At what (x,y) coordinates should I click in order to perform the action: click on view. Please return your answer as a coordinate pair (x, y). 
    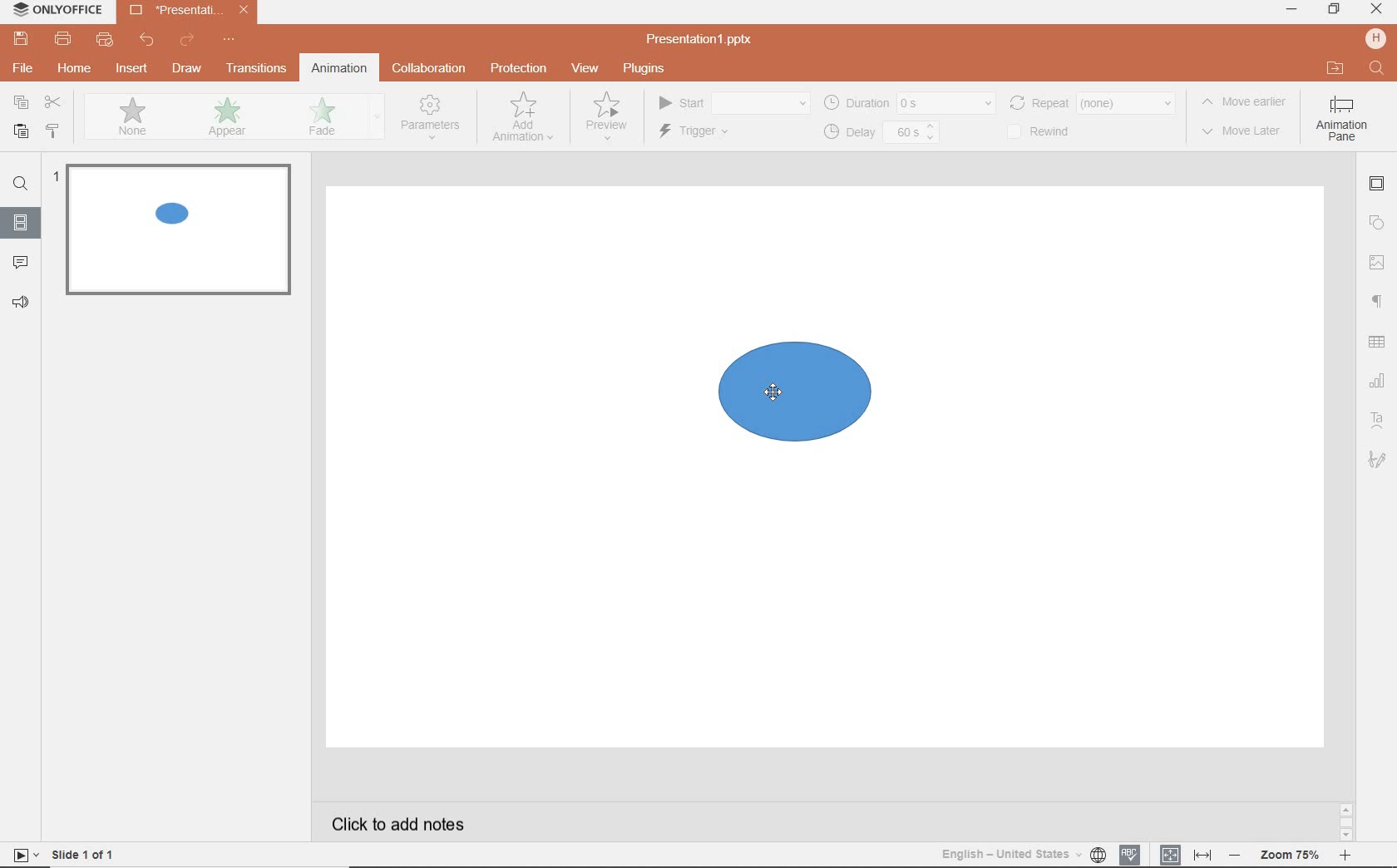
    Looking at the image, I should click on (588, 69).